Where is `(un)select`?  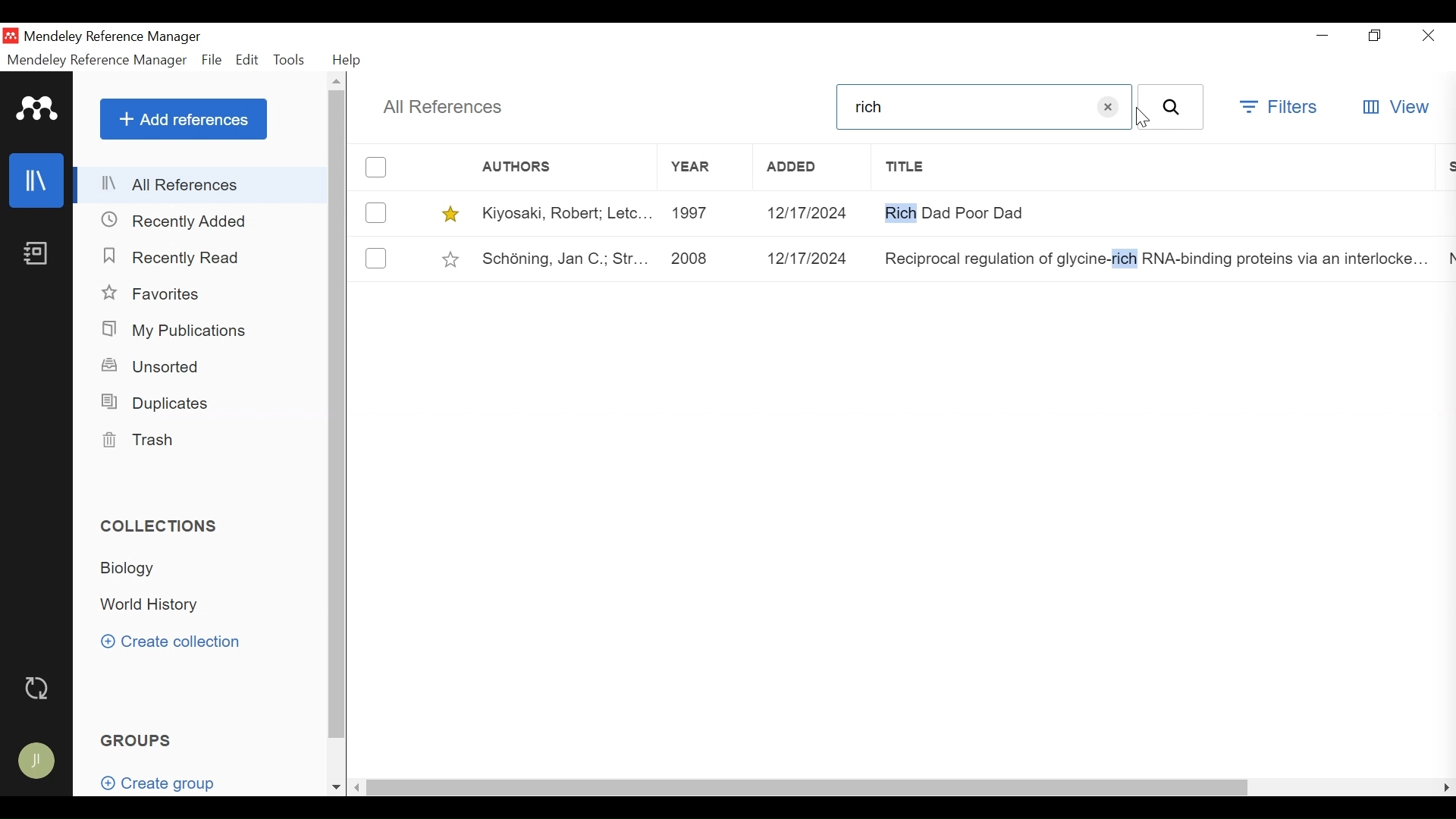 (un)select is located at coordinates (375, 168).